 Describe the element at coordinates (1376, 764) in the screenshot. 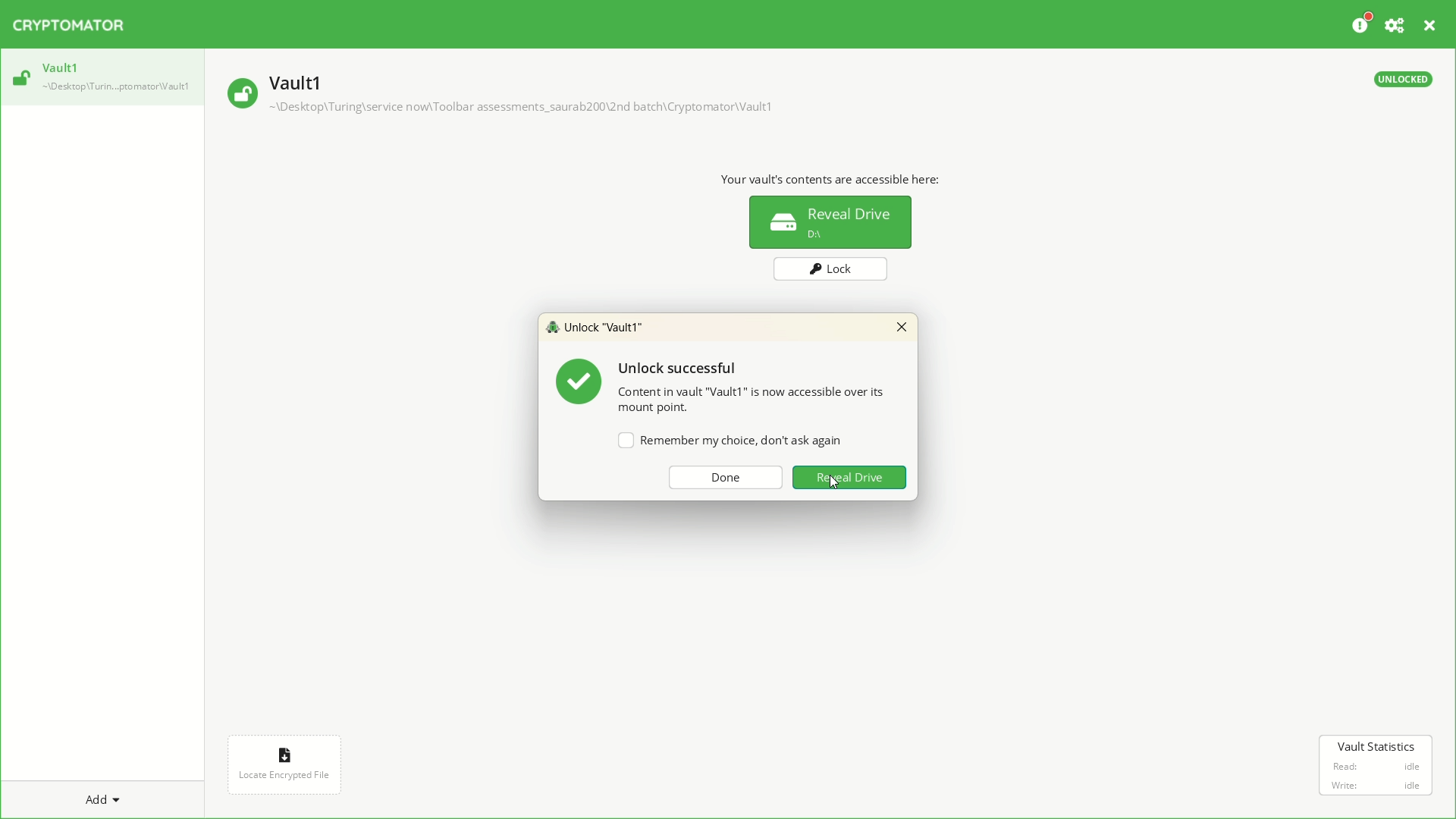

I see `vault statistics read: idle write: idle` at that location.